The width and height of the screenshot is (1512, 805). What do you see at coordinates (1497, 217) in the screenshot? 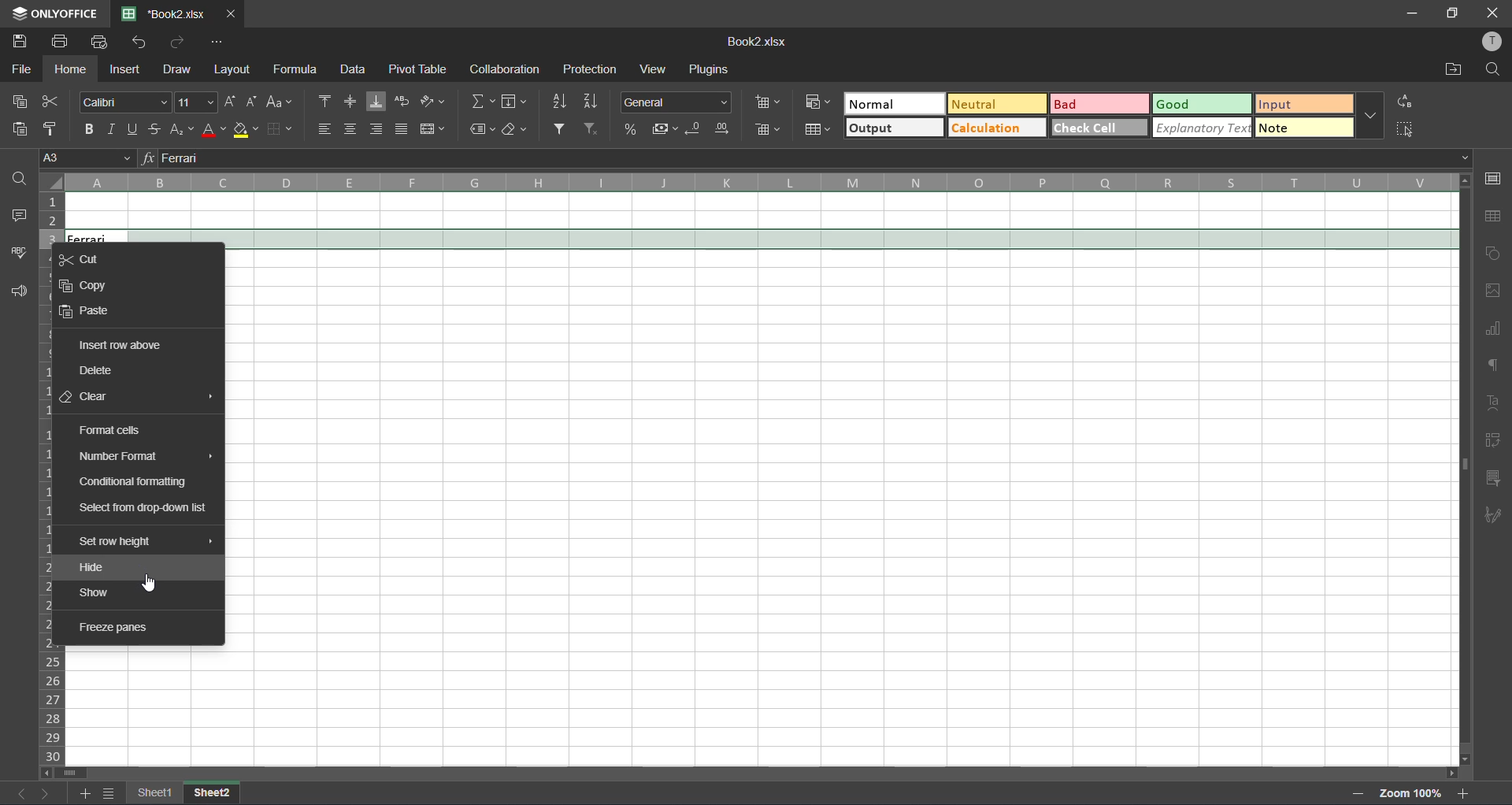
I see `table` at bounding box center [1497, 217].